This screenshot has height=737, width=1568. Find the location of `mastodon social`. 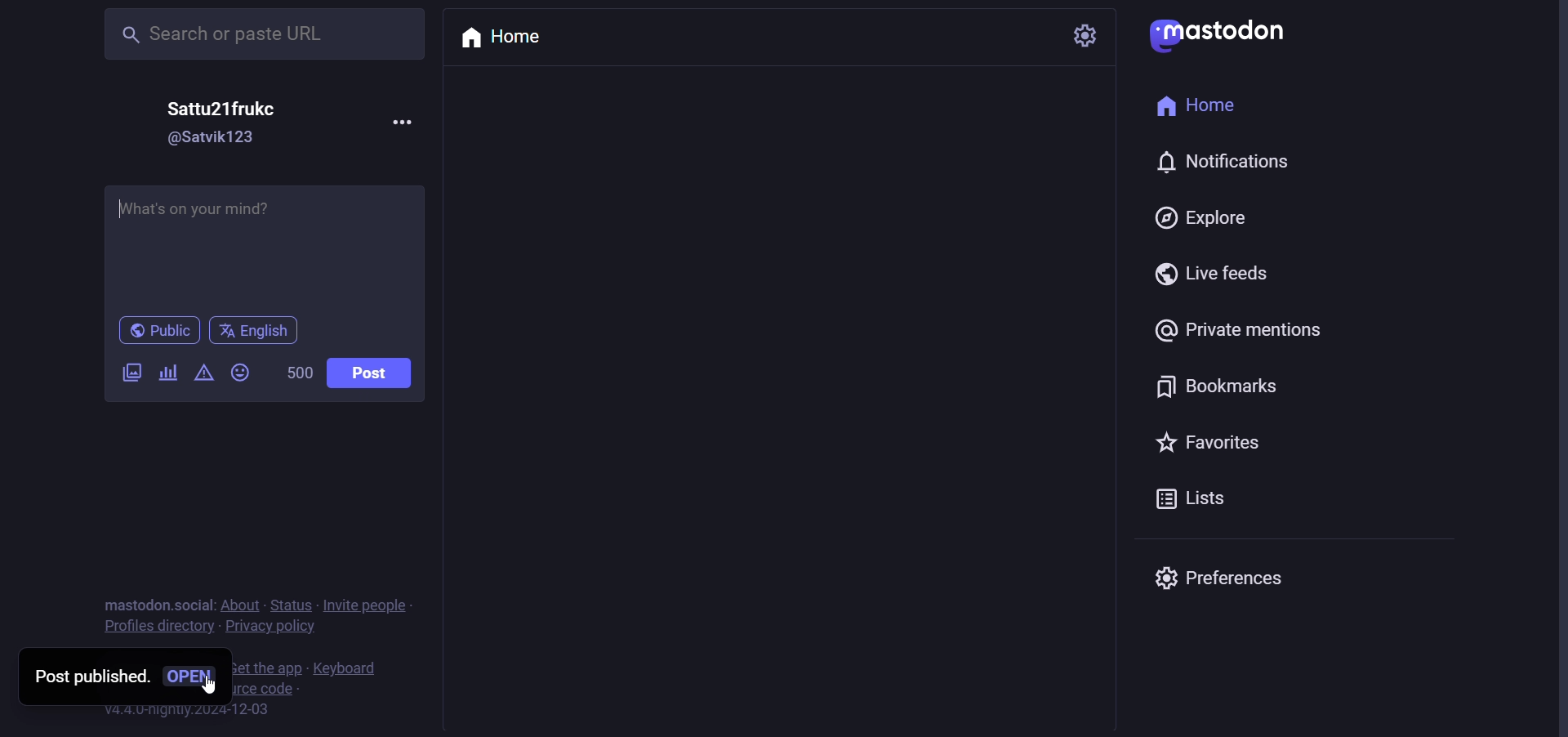

mastodon social is located at coordinates (150, 602).